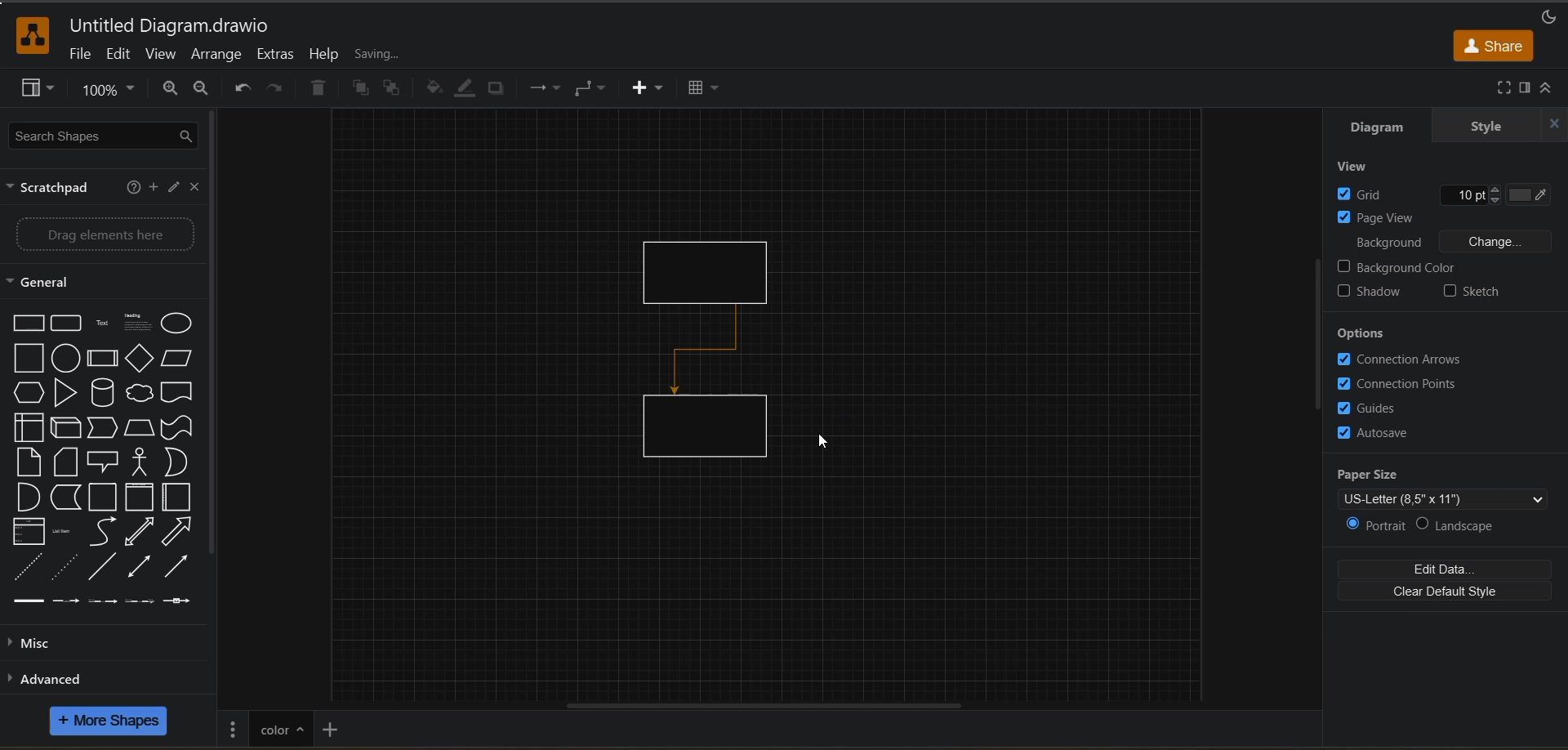  I want to click on Arrow, so click(182, 567).